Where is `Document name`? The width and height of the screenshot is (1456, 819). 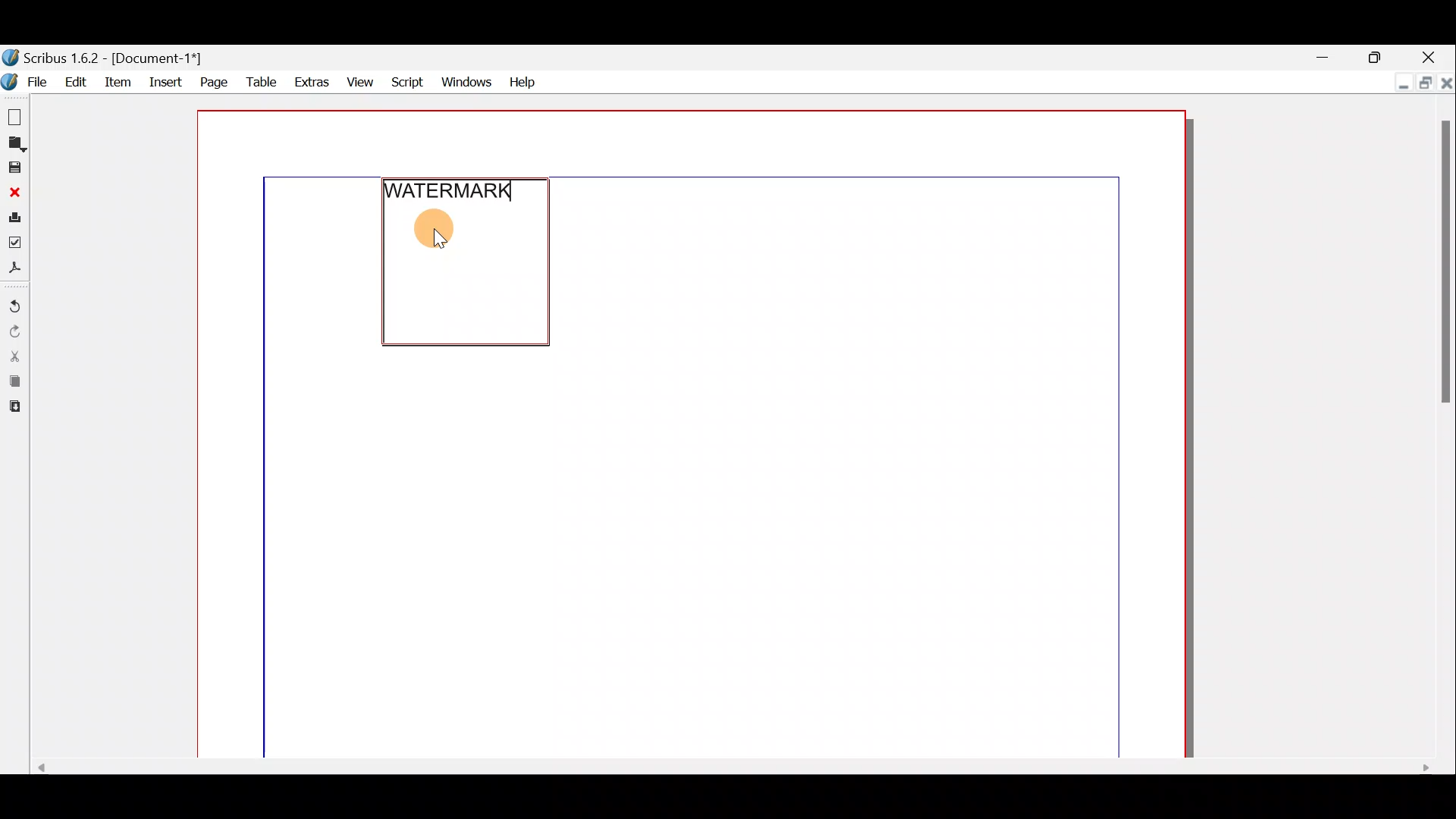 Document name is located at coordinates (105, 58).